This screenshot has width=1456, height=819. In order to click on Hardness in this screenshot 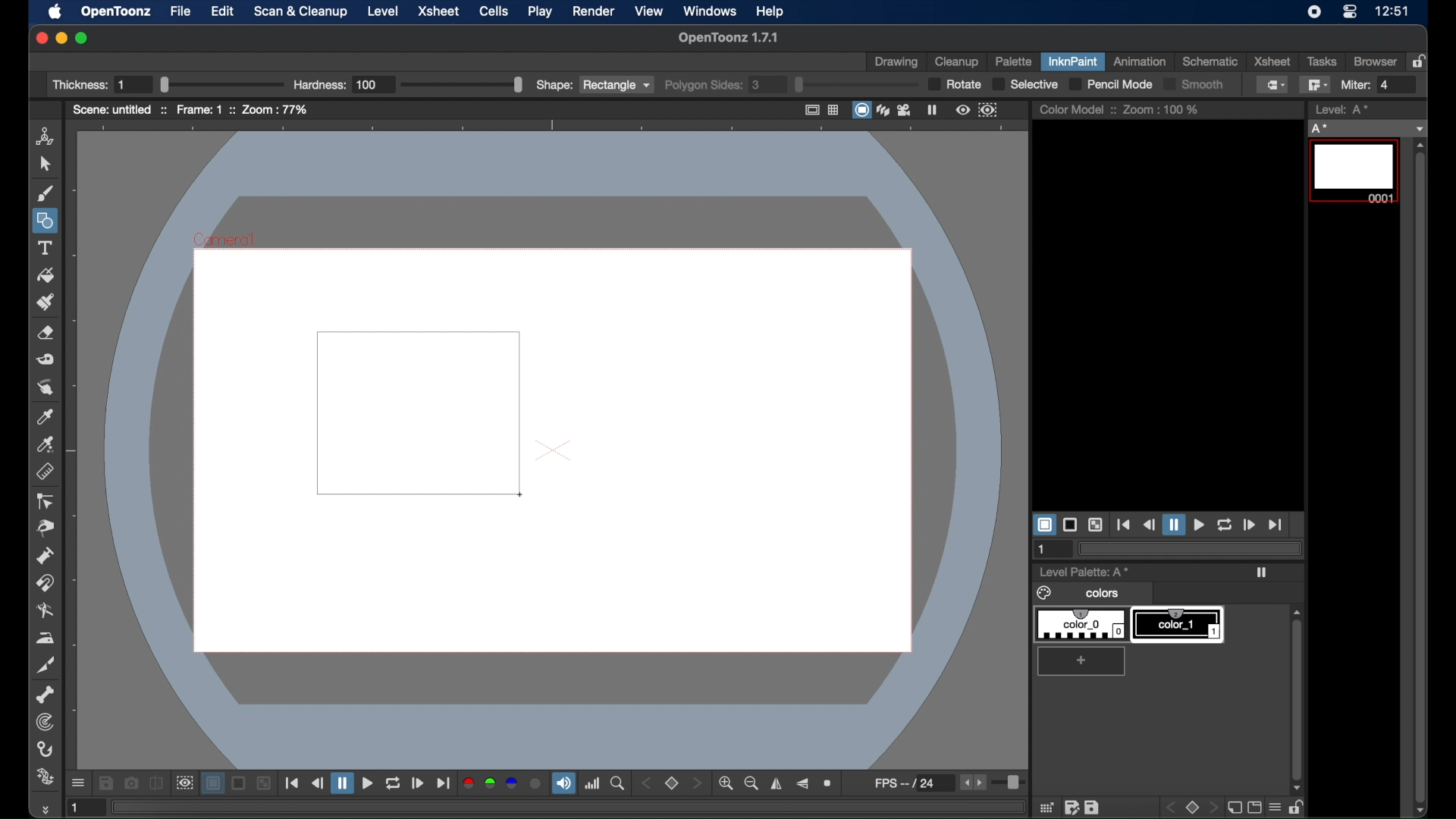, I will do `click(407, 84)`.